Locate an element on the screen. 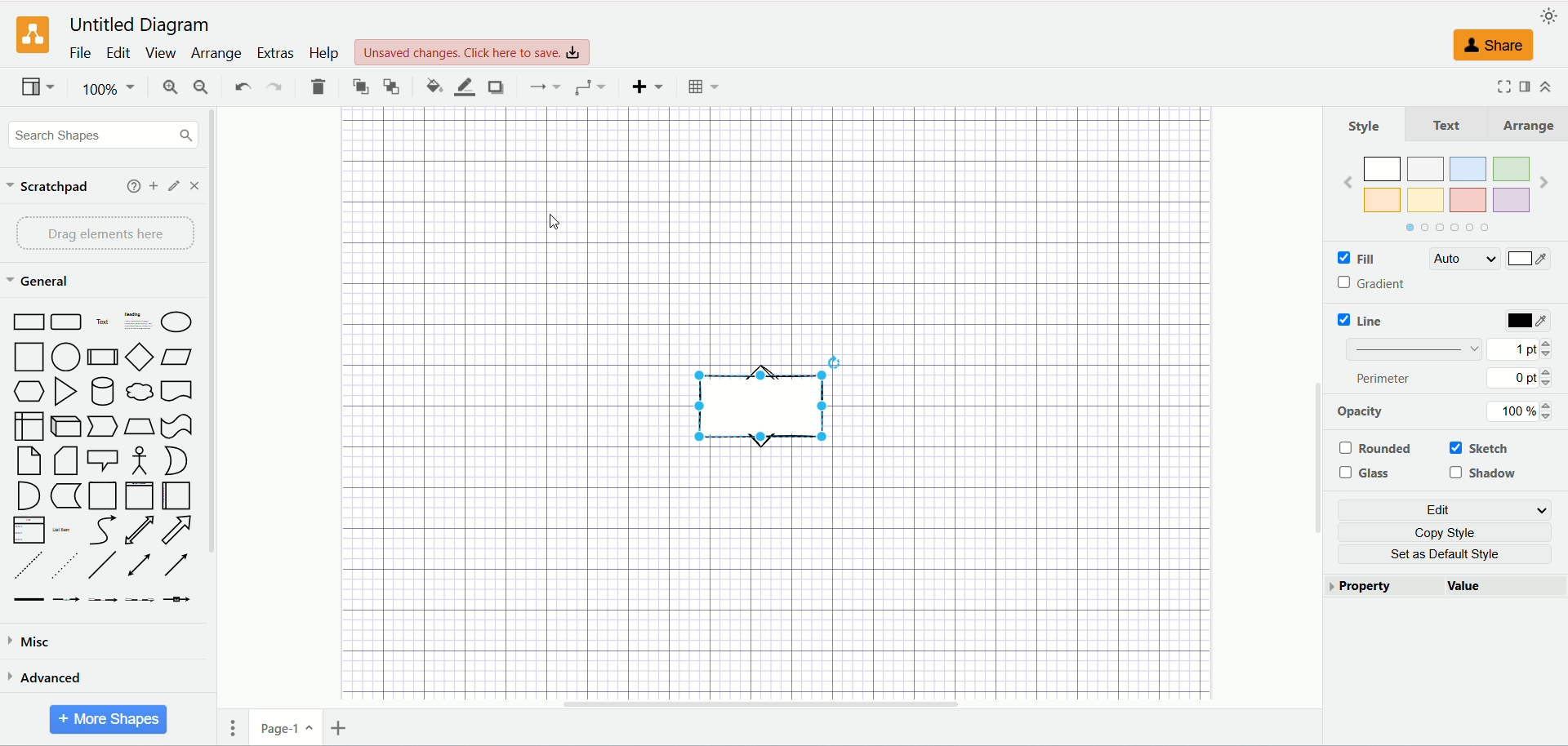  shape is located at coordinates (766, 402).